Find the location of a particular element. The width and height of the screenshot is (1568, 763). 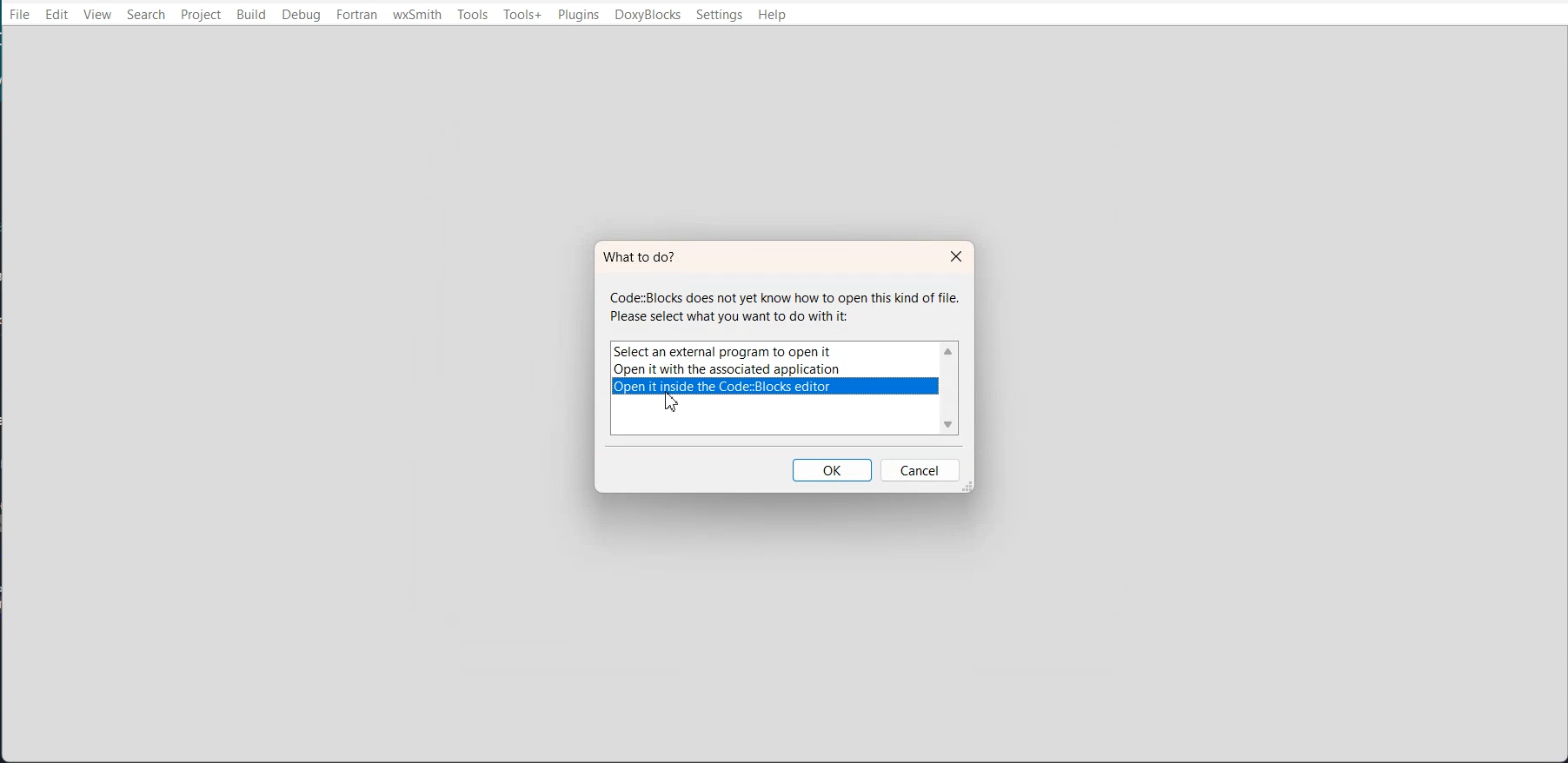

wxSmith is located at coordinates (417, 16).